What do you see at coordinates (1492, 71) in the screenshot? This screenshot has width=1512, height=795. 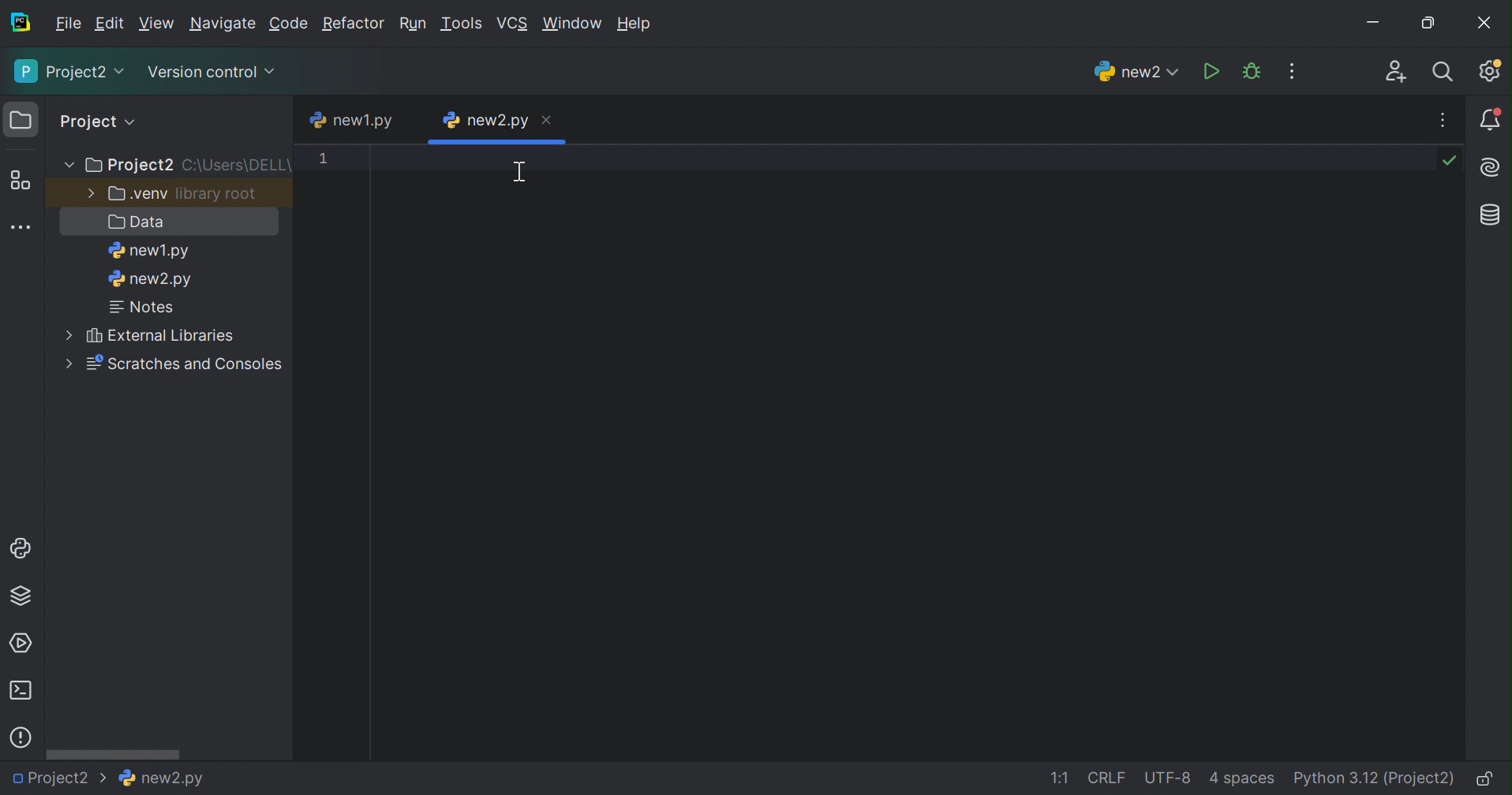 I see `Updates available. IDE and Project Settings.` at bounding box center [1492, 71].